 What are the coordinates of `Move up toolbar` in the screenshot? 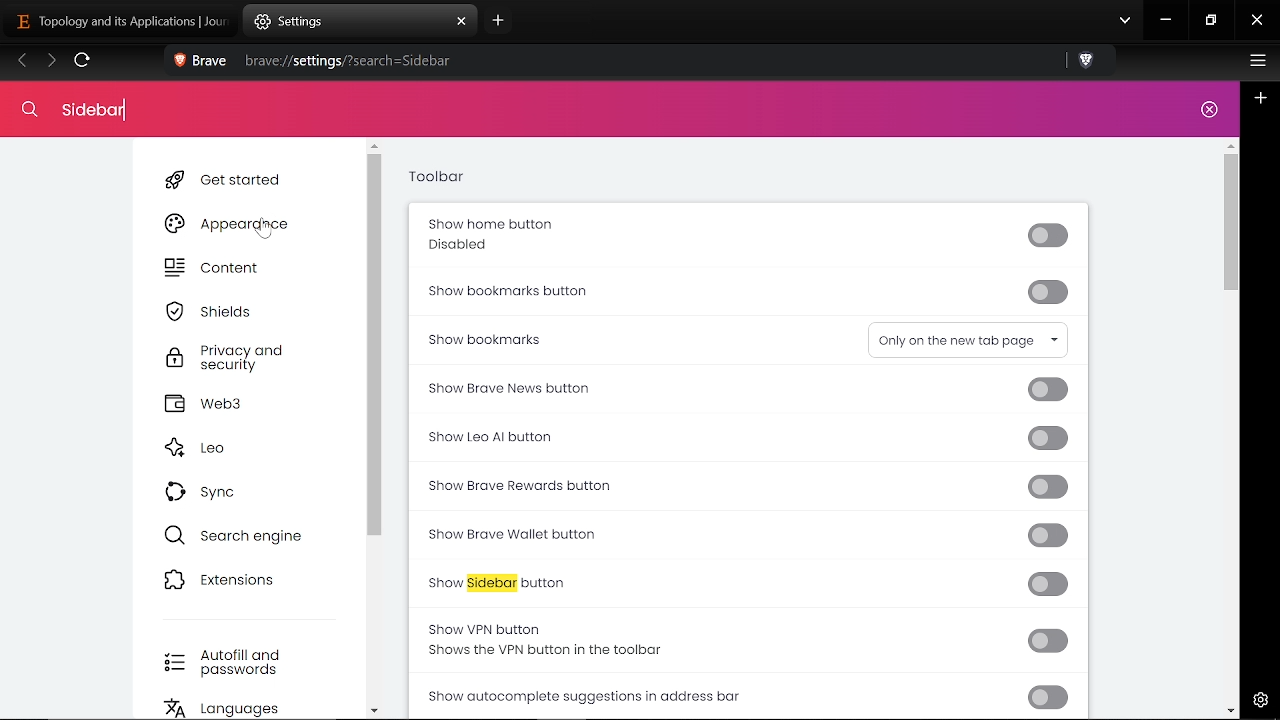 It's located at (1230, 145).